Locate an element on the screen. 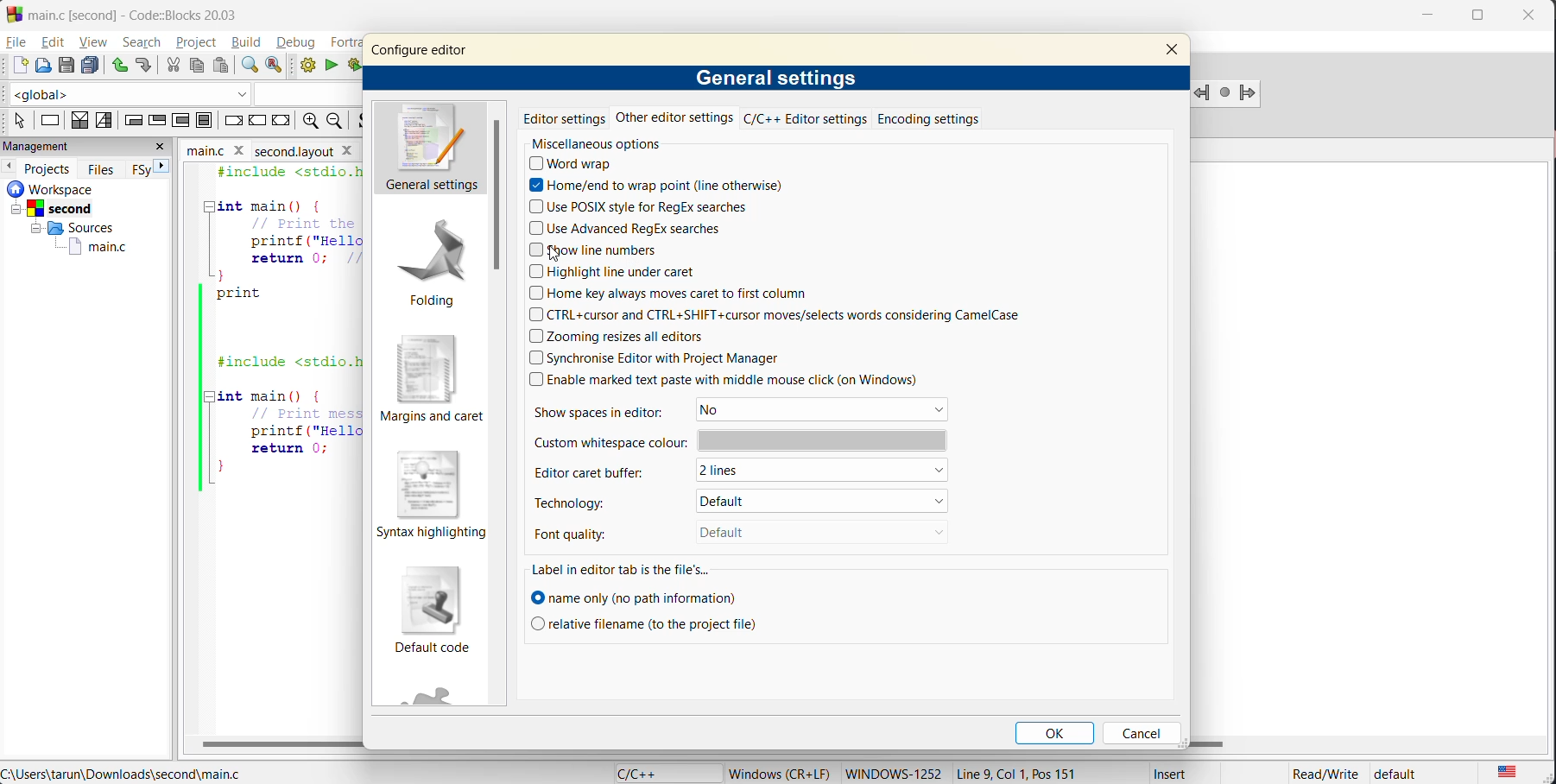 Image resolution: width=1556 pixels, height=784 pixels. configure editor is located at coordinates (420, 50).